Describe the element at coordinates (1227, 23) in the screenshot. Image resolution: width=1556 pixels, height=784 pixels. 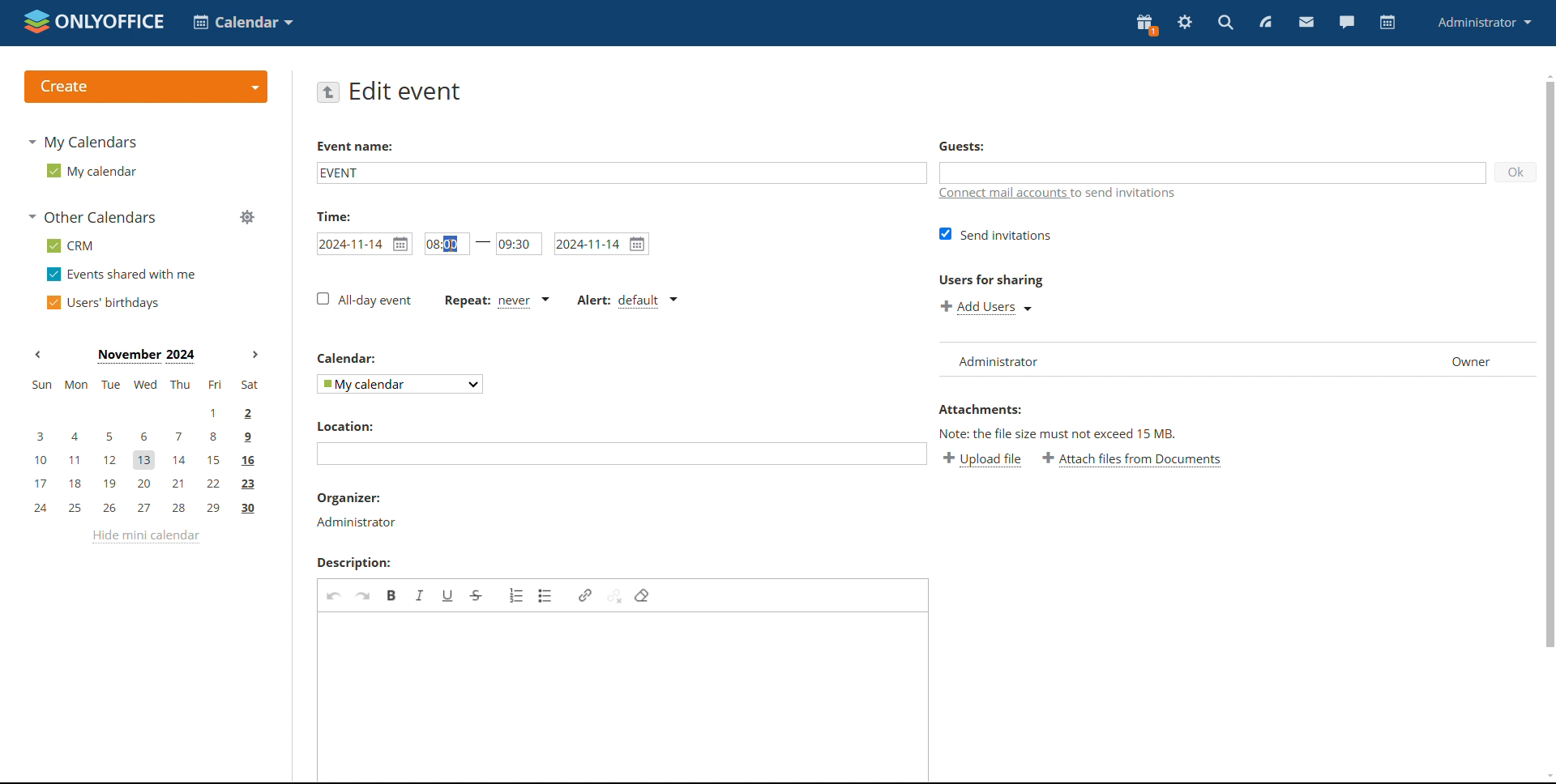
I see `search` at that location.